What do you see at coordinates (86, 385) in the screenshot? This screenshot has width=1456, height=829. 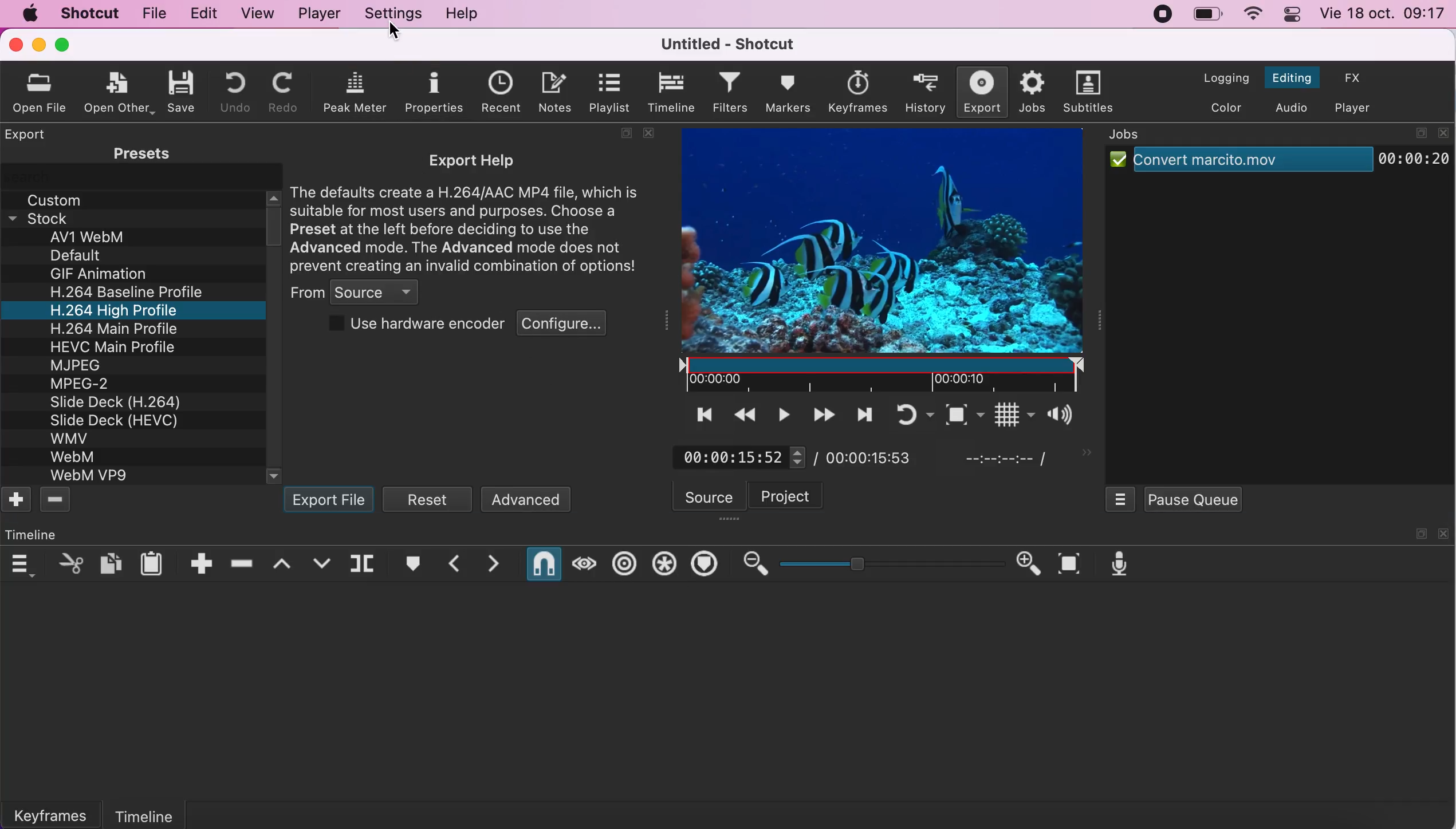 I see `MPEG-2` at bounding box center [86, 385].